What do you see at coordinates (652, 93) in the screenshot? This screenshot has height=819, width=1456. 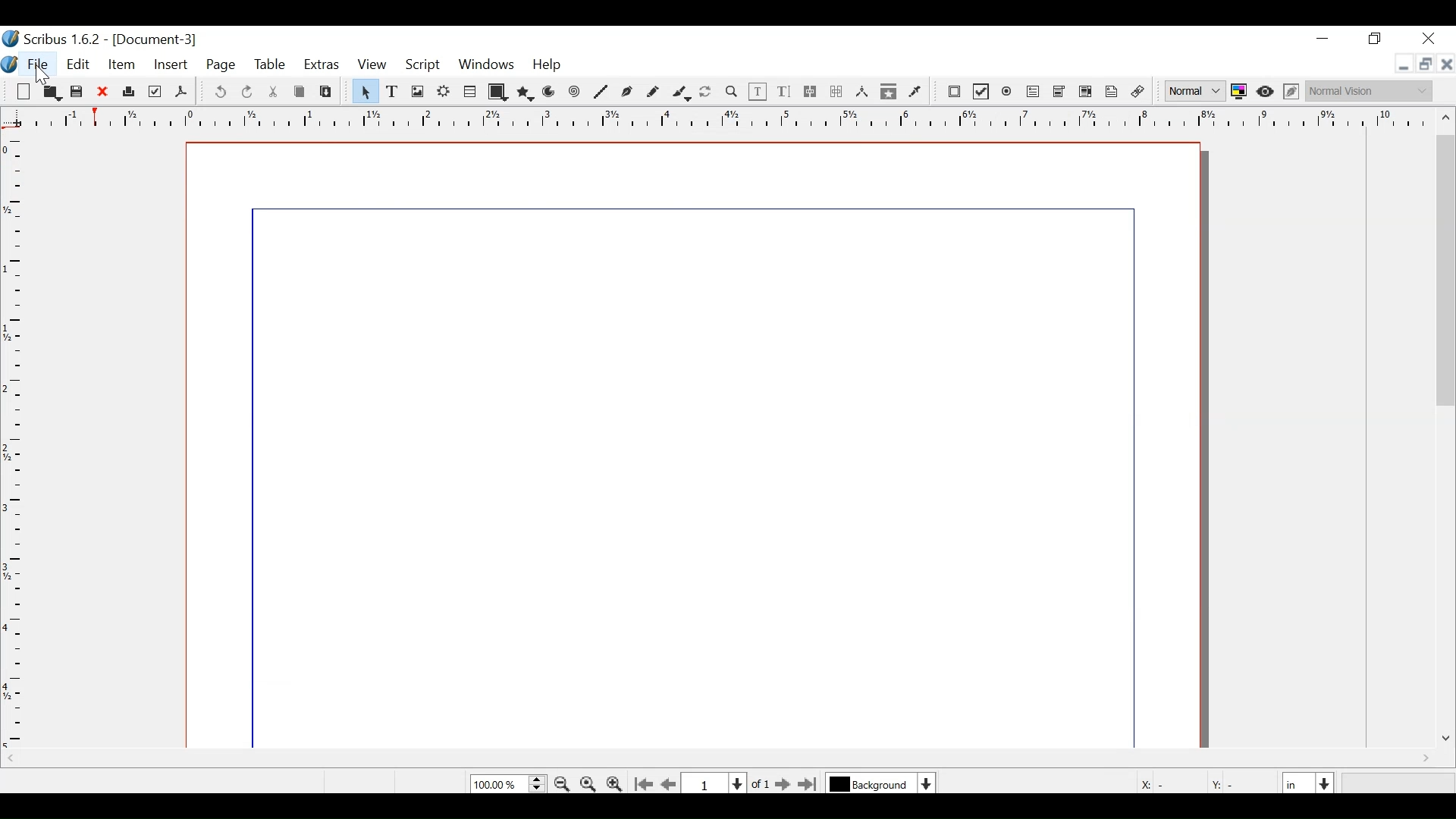 I see `Freehand` at bounding box center [652, 93].